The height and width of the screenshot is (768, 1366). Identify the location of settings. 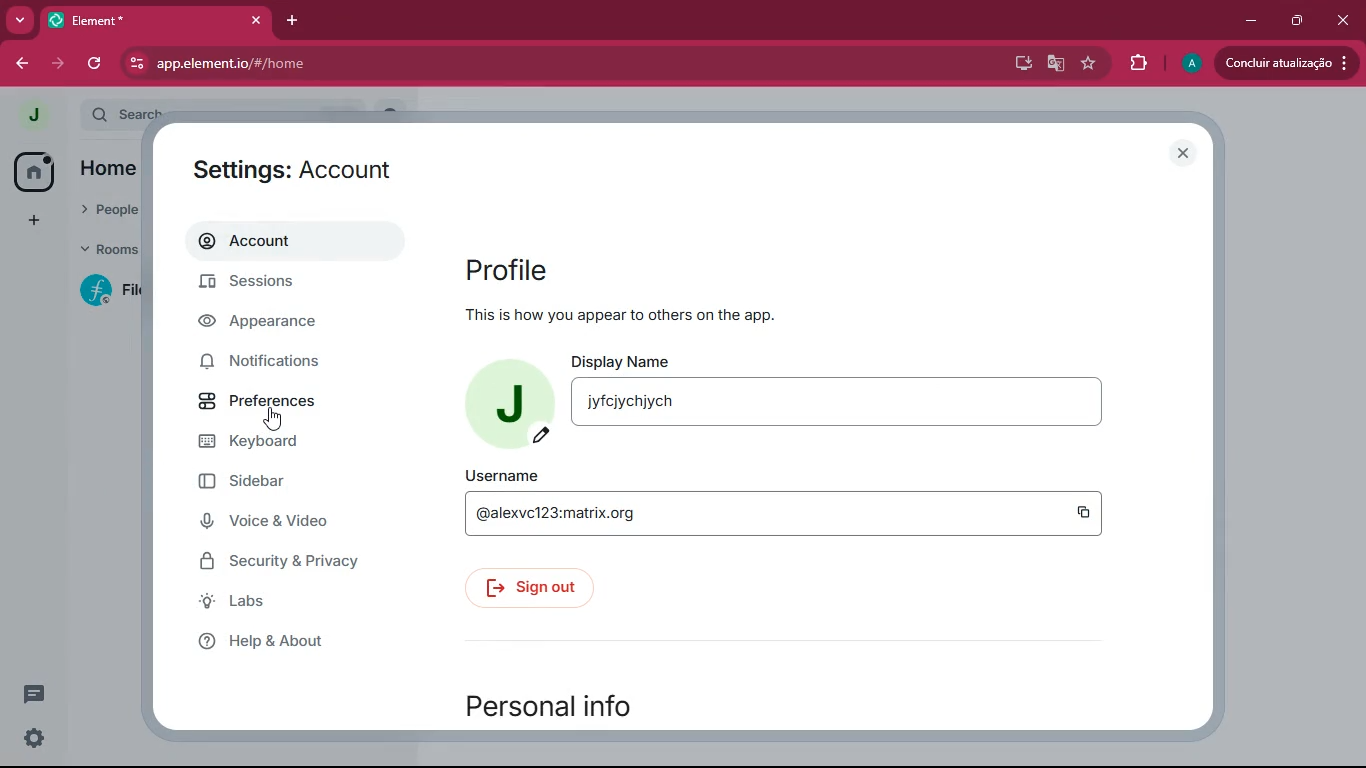
(34, 738).